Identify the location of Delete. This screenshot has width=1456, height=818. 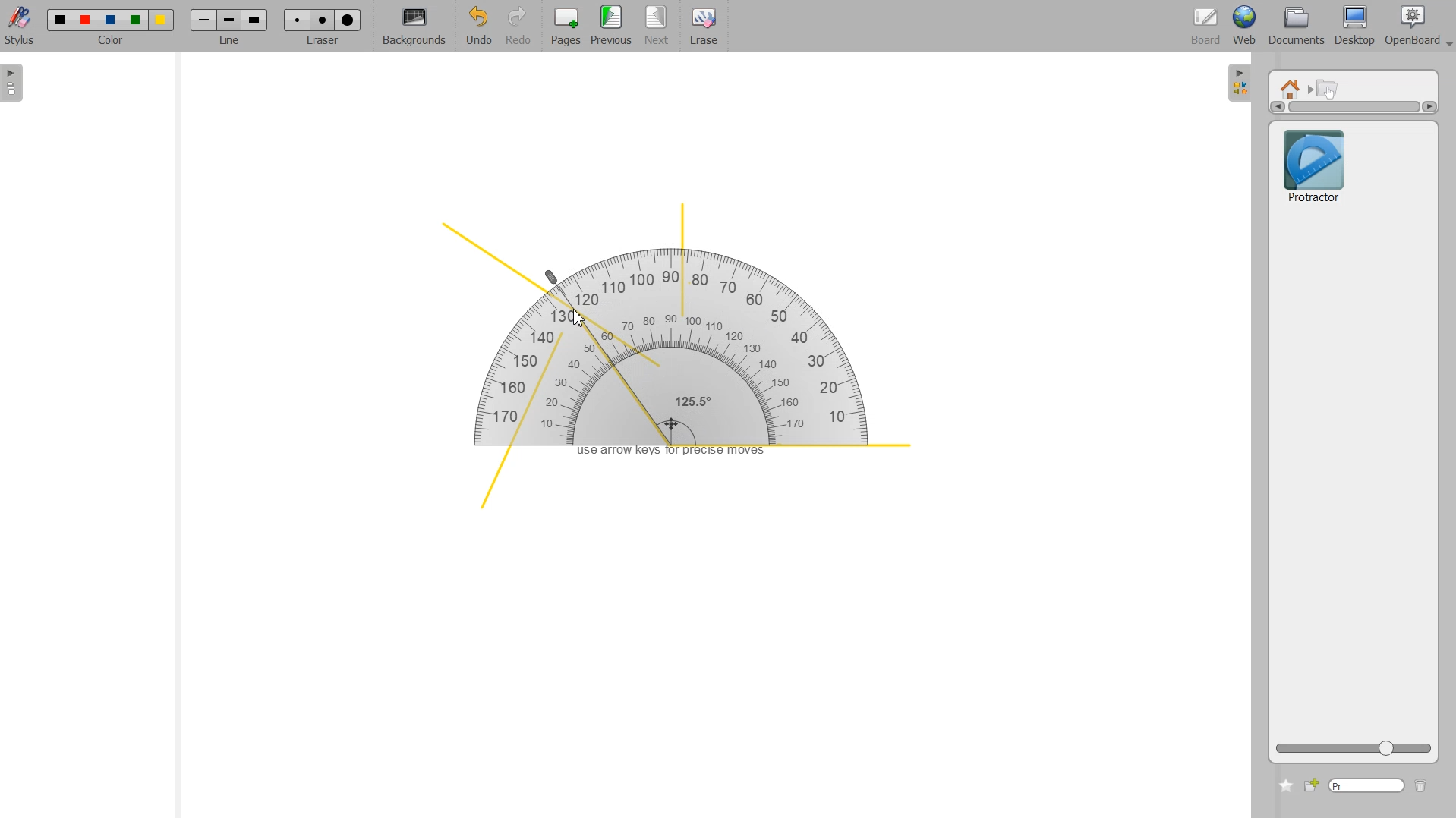
(1421, 787).